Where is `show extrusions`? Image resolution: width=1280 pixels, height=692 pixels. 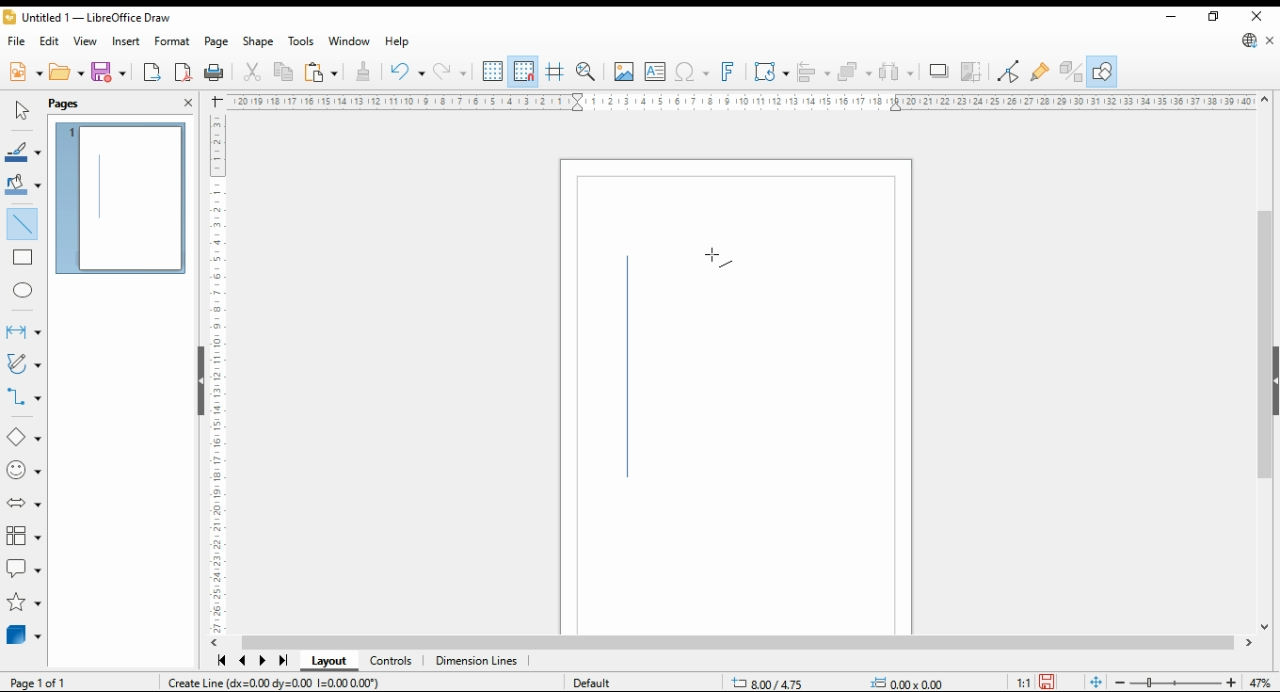 show extrusions is located at coordinates (1070, 71).